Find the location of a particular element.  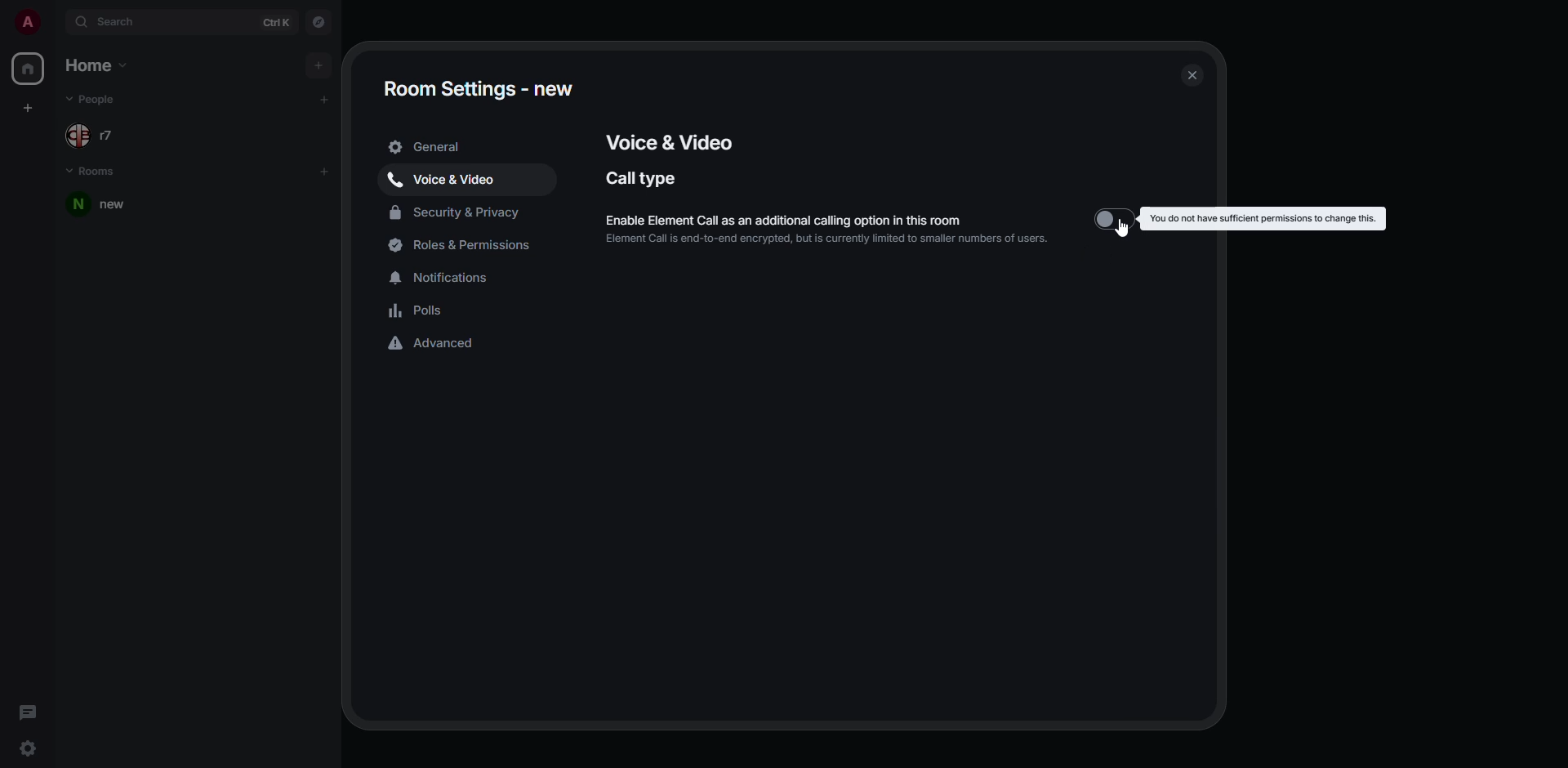

add is located at coordinates (325, 98).